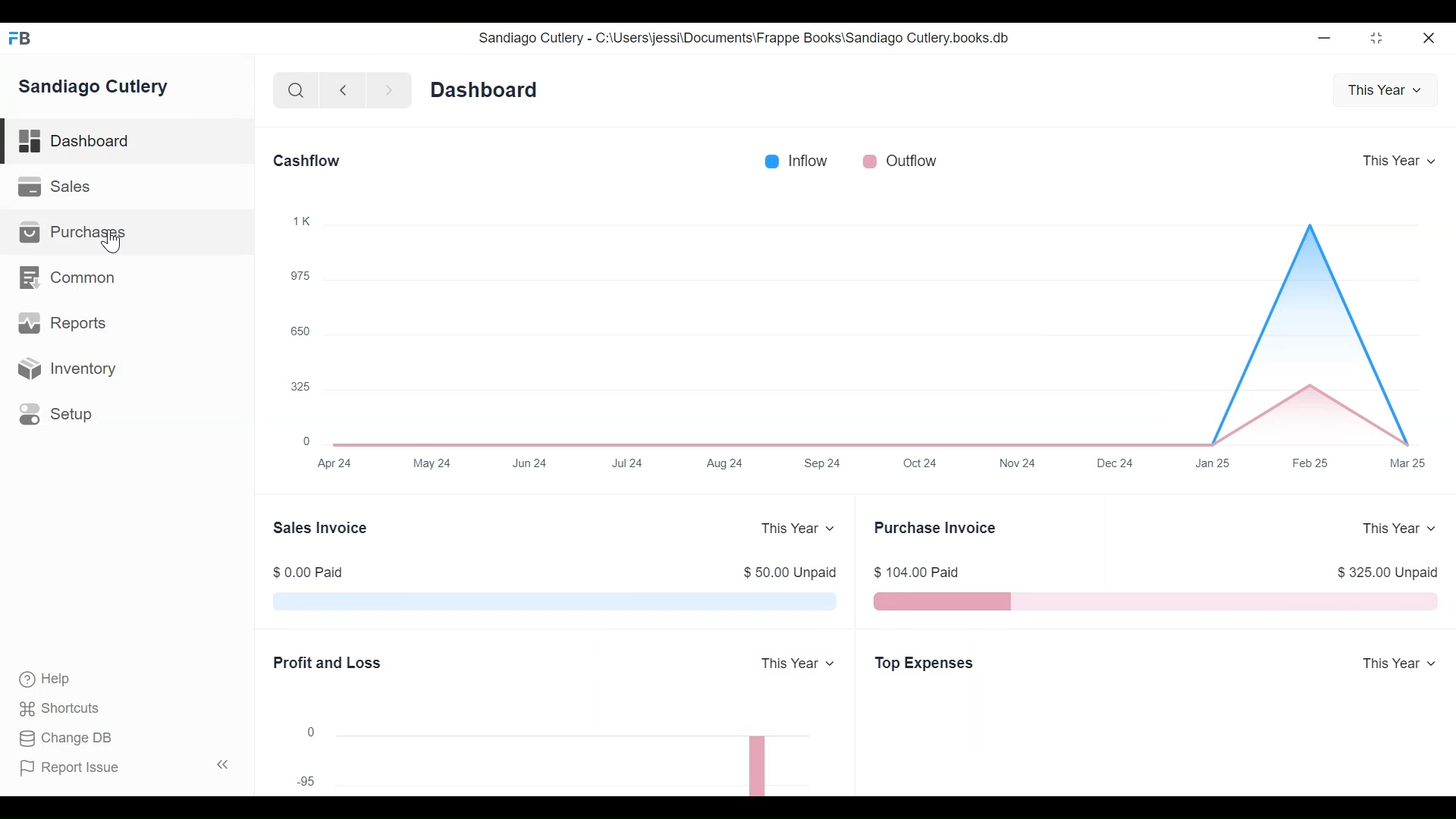 Image resolution: width=1456 pixels, height=819 pixels. What do you see at coordinates (61, 417) in the screenshot?
I see `Setup` at bounding box center [61, 417].